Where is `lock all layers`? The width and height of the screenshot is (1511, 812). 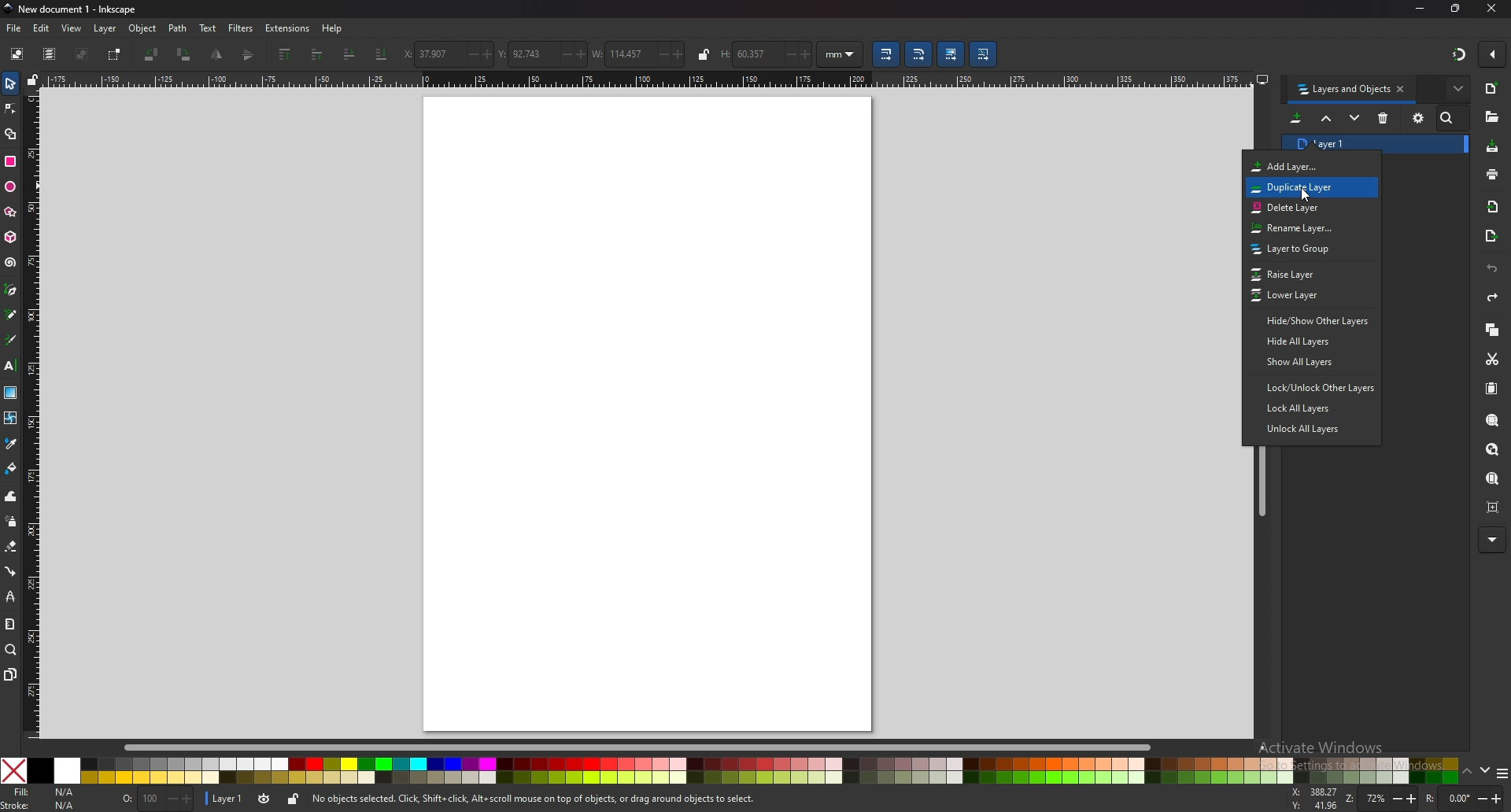 lock all layers is located at coordinates (1309, 407).